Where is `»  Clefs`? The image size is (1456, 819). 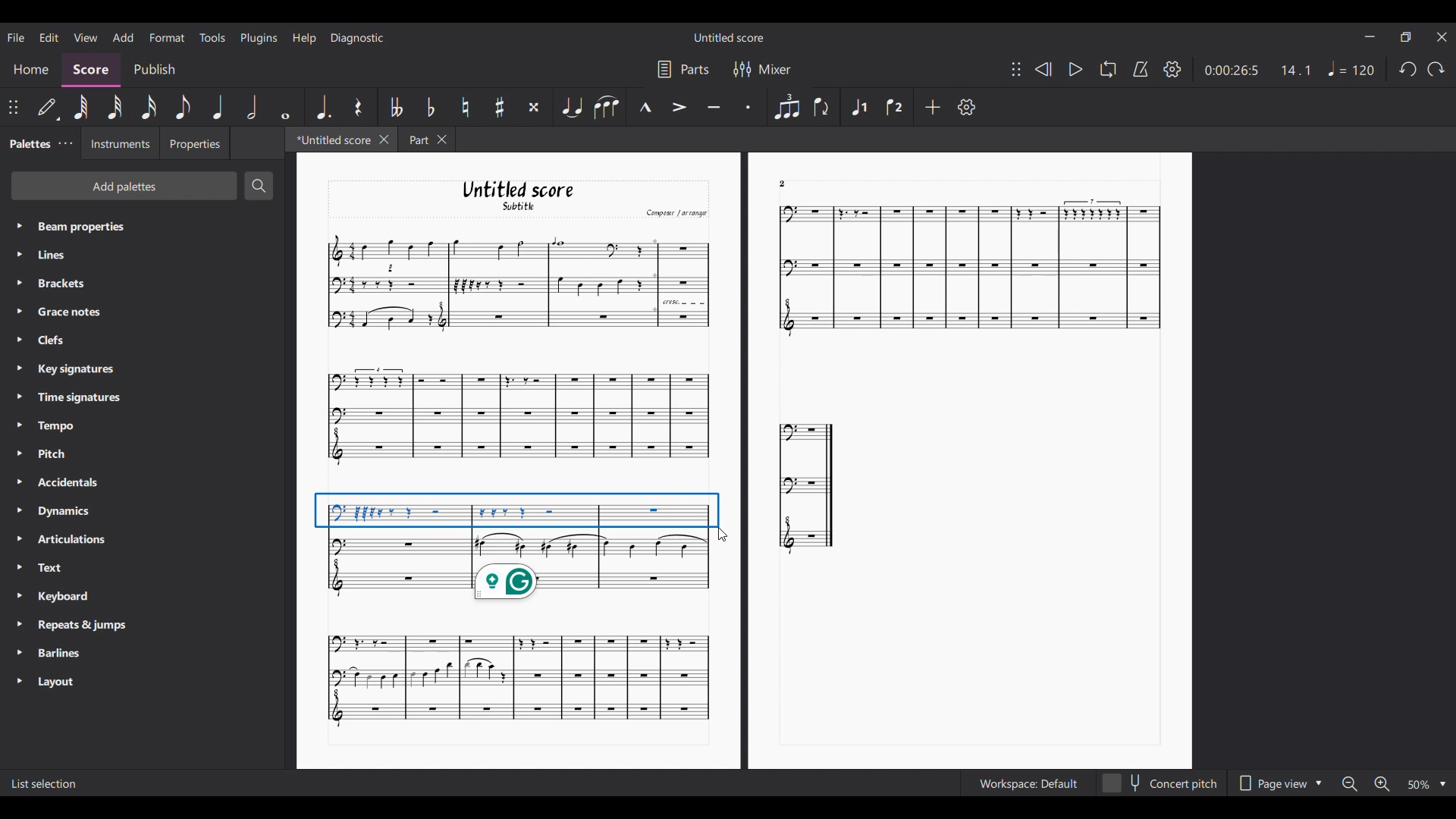
»  Clefs is located at coordinates (55, 340).